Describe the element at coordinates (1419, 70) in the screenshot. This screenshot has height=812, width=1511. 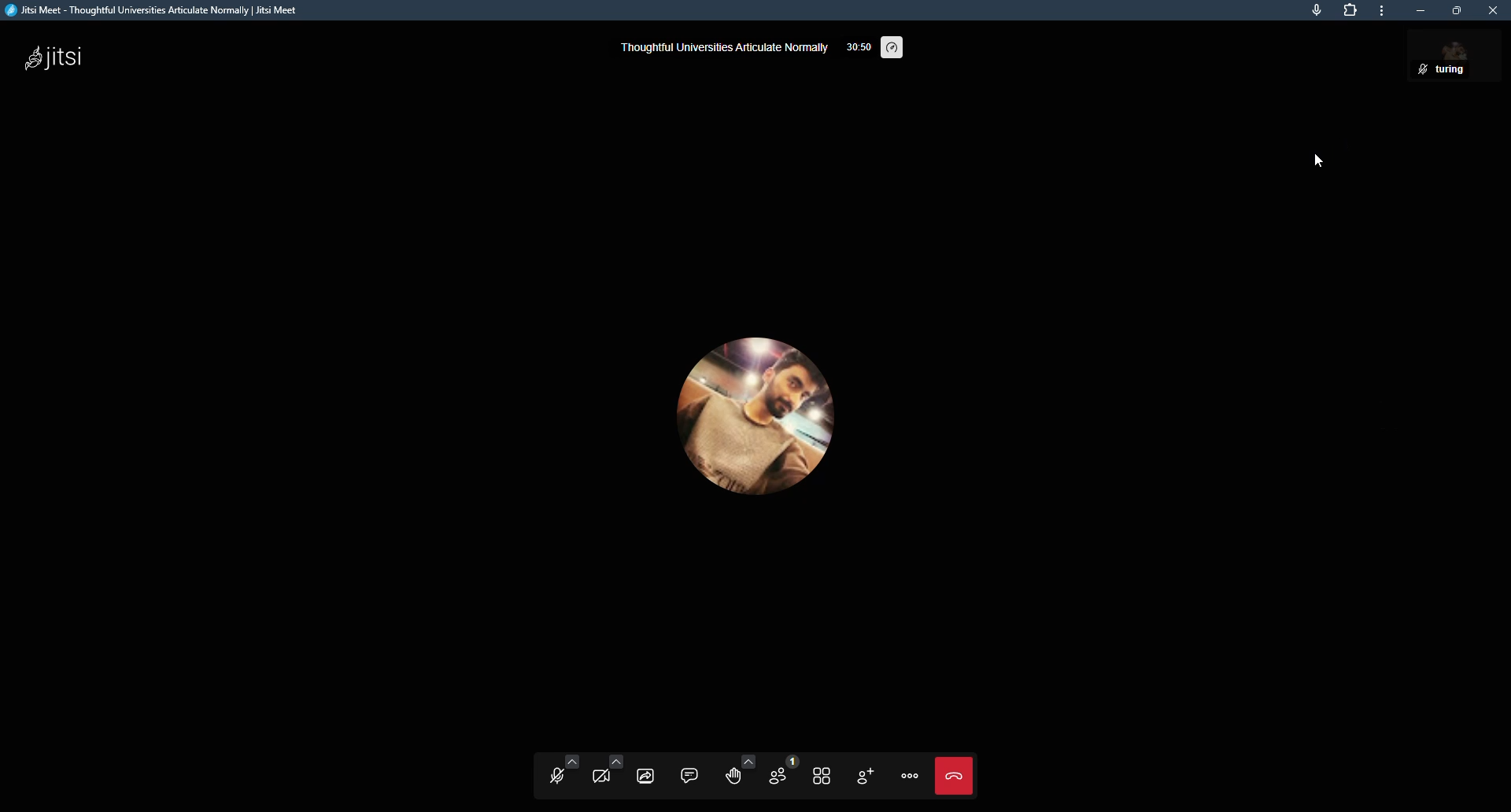
I see `mute` at that location.